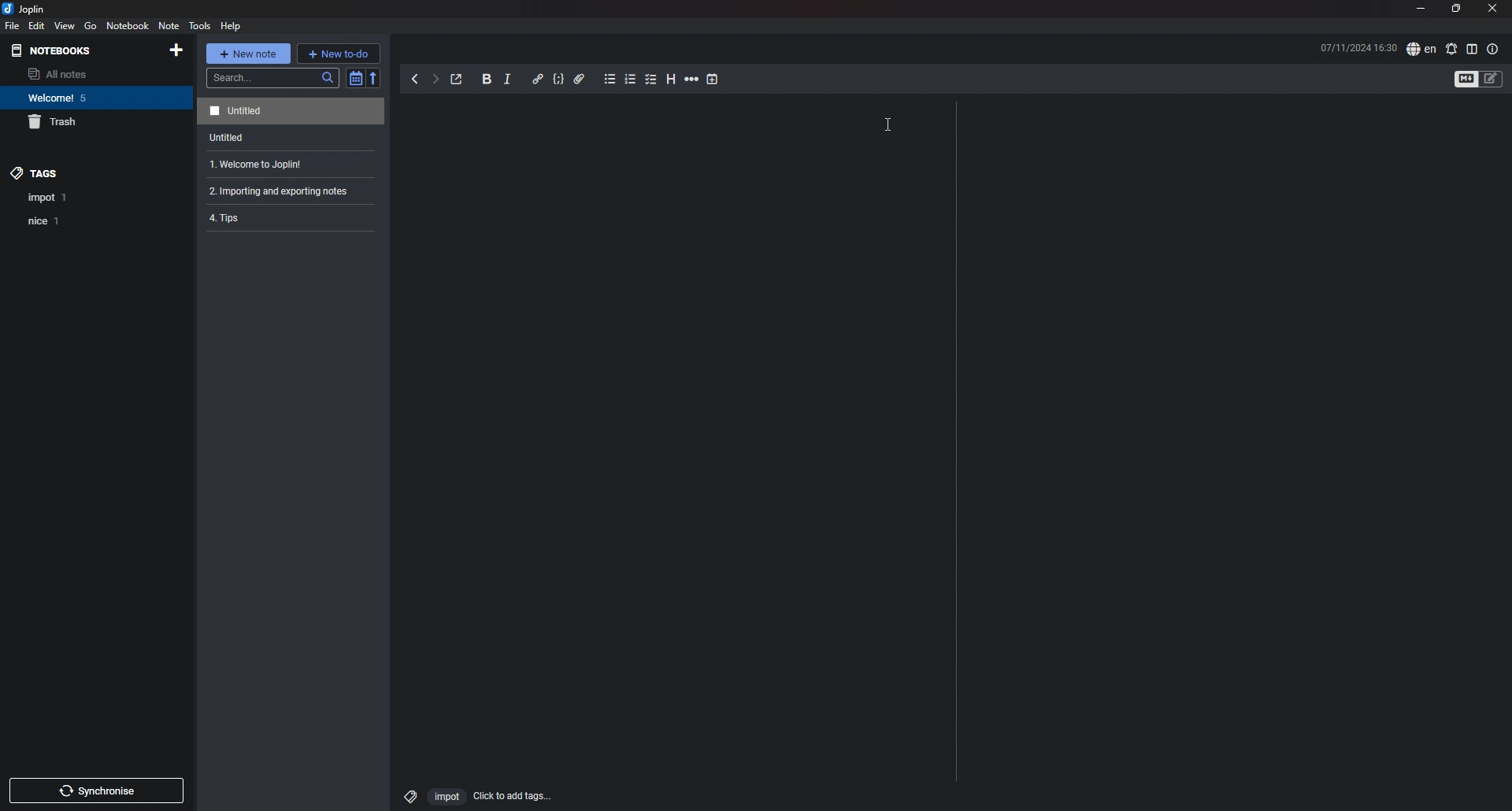 This screenshot has width=1512, height=811. What do you see at coordinates (198, 26) in the screenshot?
I see `tools` at bounding box center [198, 26].